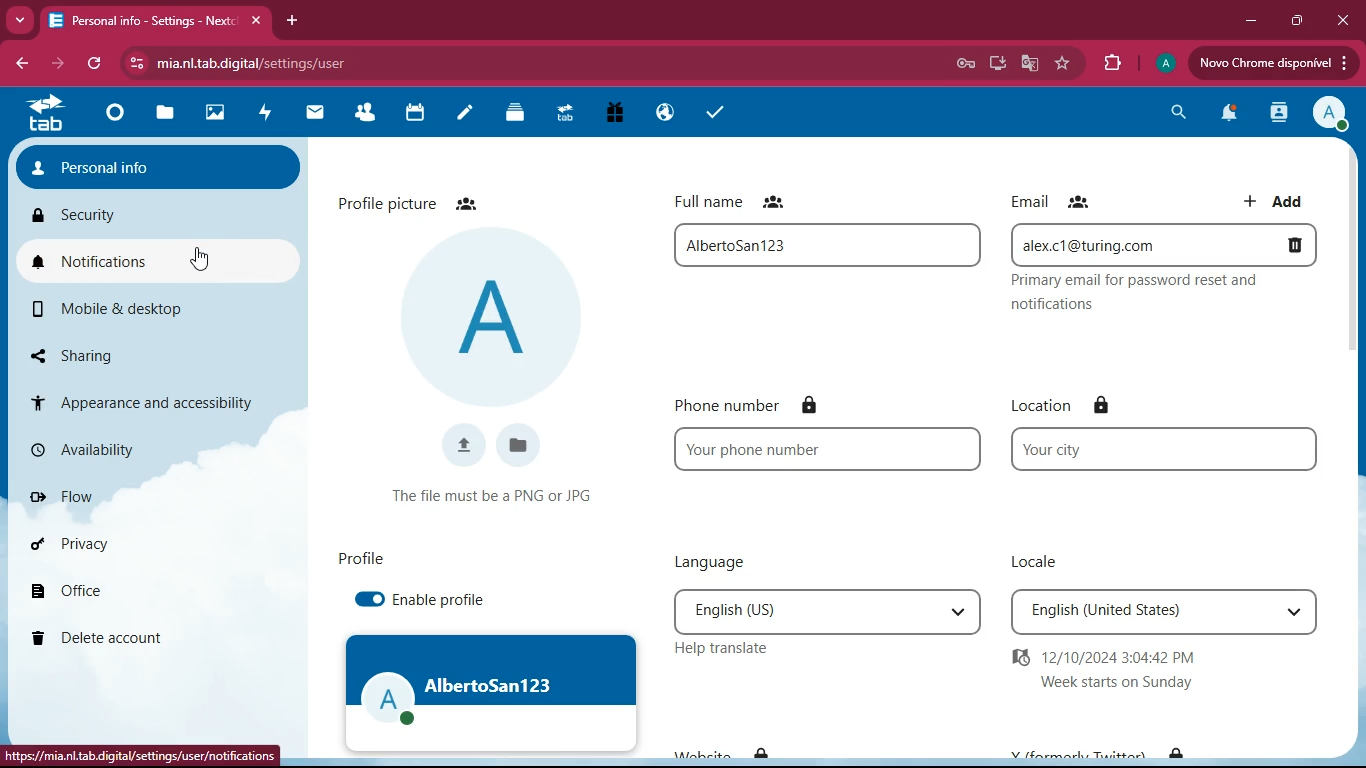 The width and height of the screenshot is (1366, 768). I want to click on location, so click(1165, 451).